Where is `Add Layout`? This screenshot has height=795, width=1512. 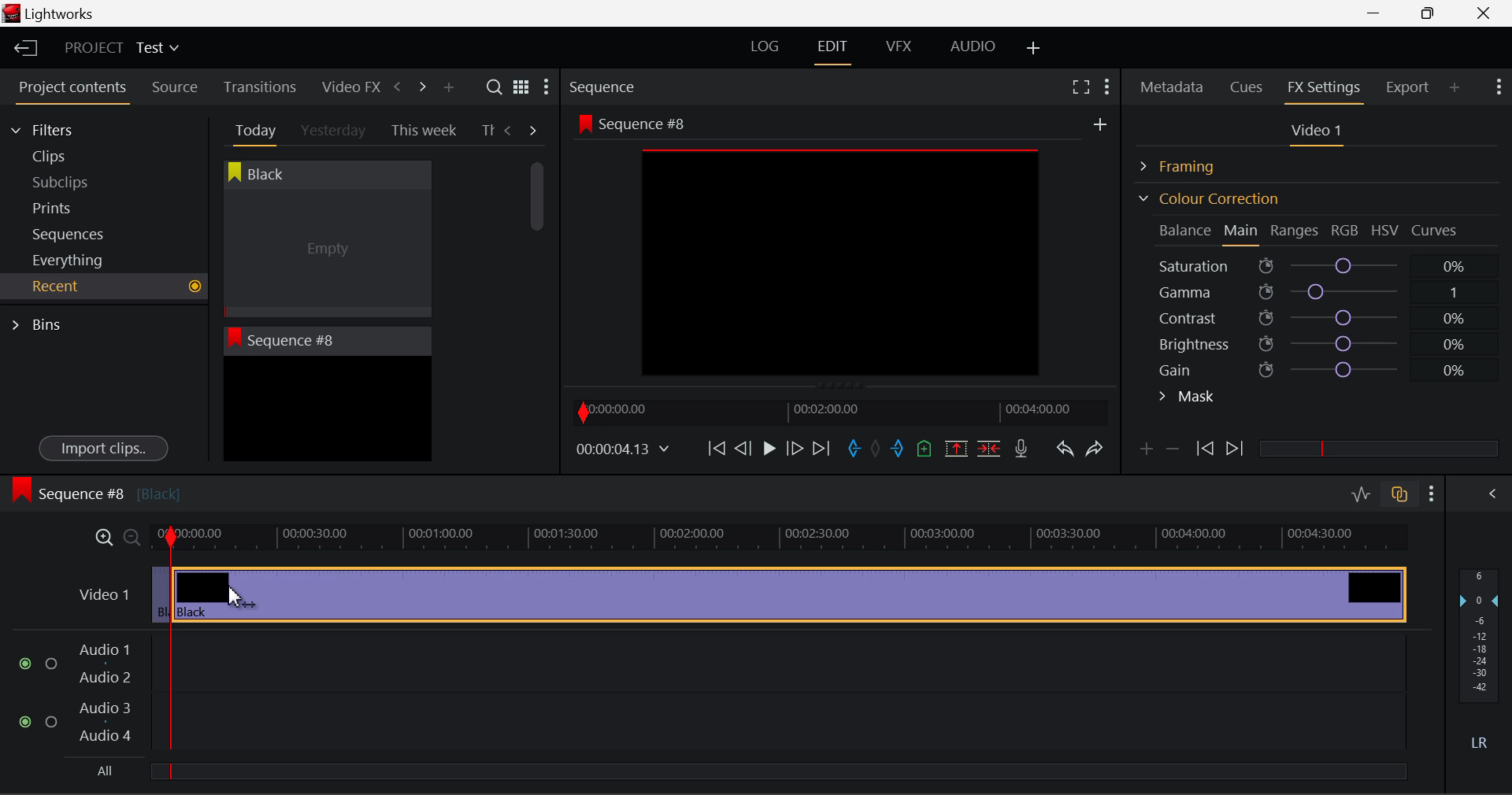 Add Layout is located at coordinates (1034, 49).